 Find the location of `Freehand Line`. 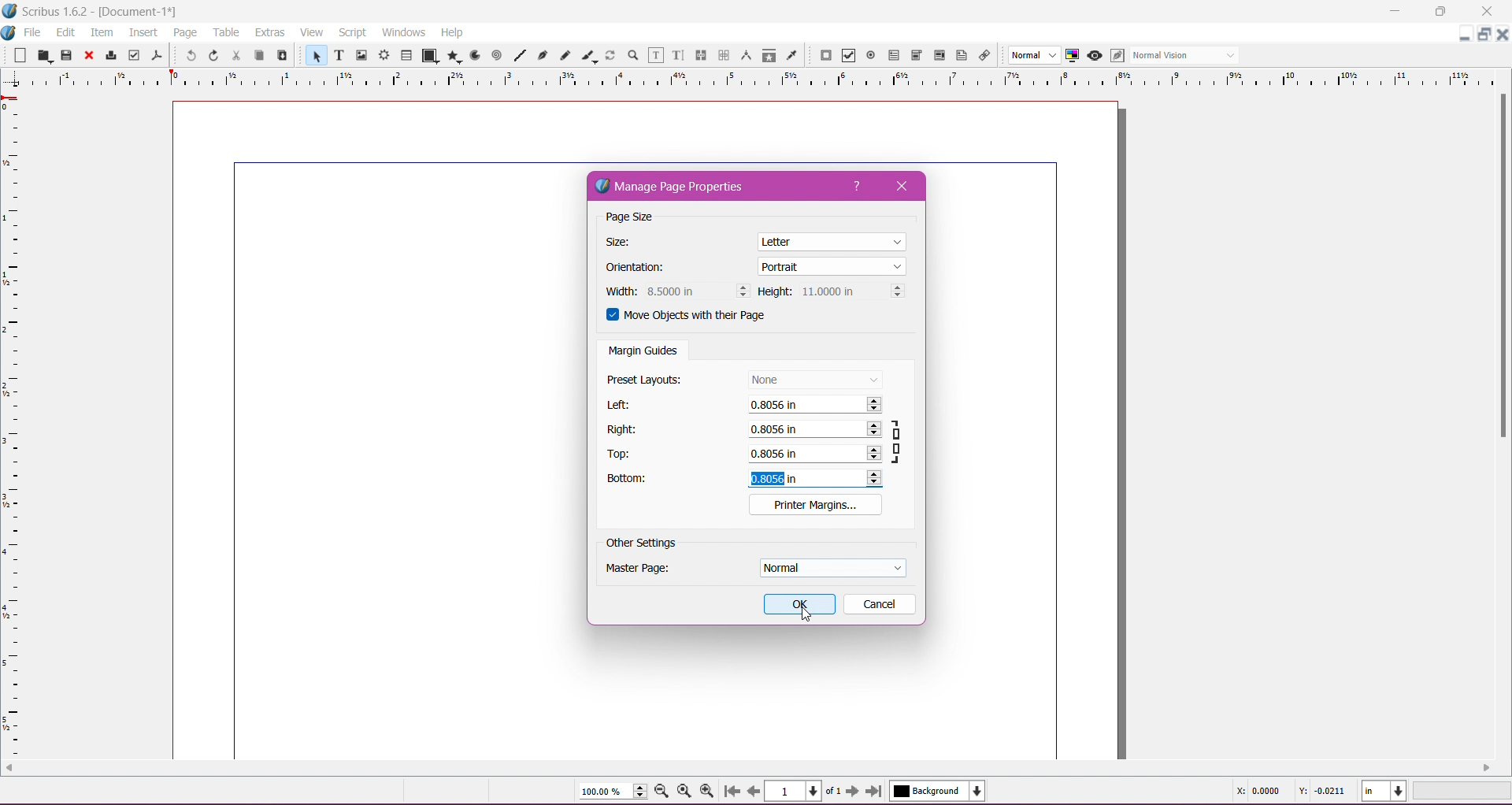

Freehand Line is located at coordinates (565, 55).